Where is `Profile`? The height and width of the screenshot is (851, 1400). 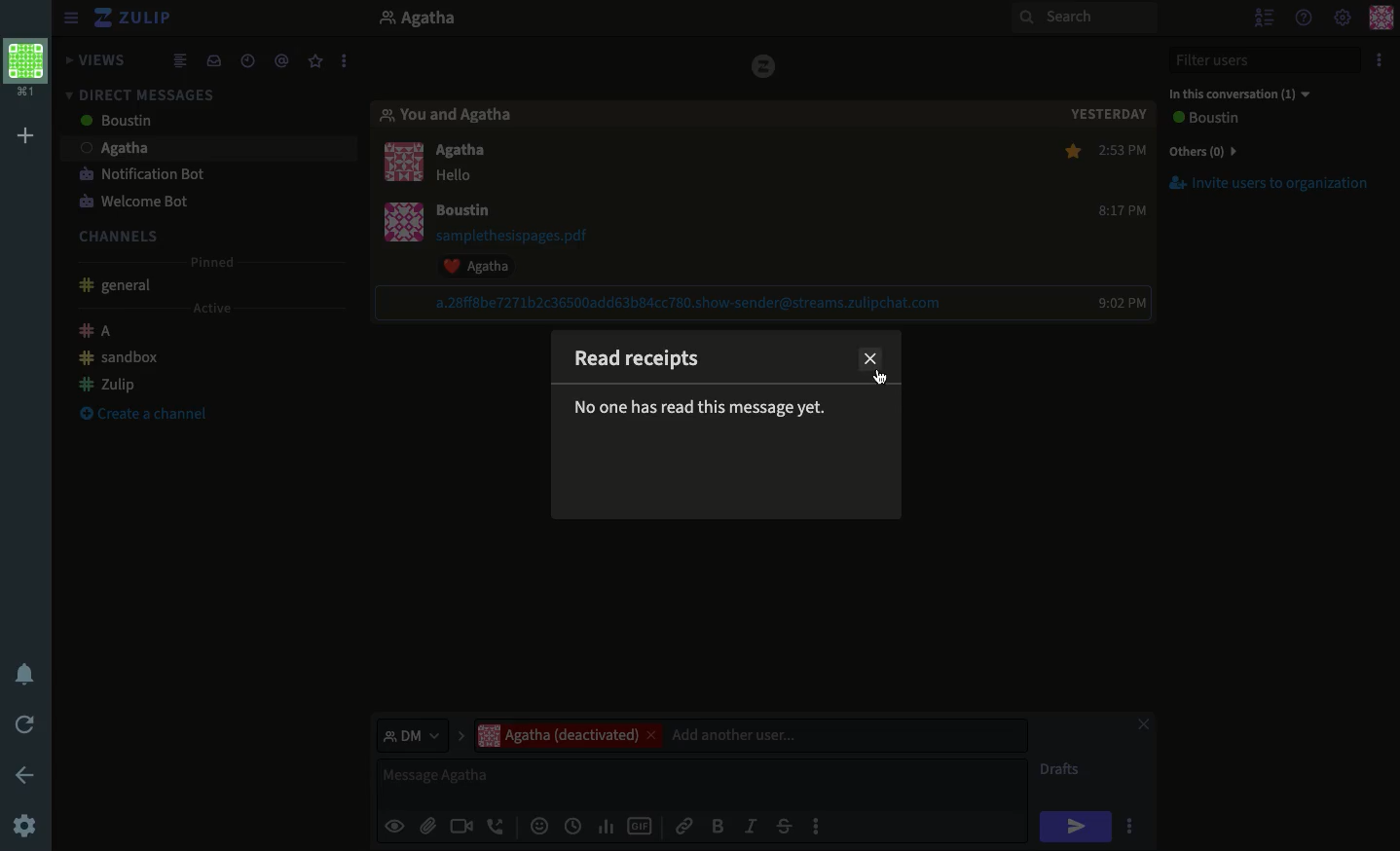
Profile is located at coordinates (1383, 17).